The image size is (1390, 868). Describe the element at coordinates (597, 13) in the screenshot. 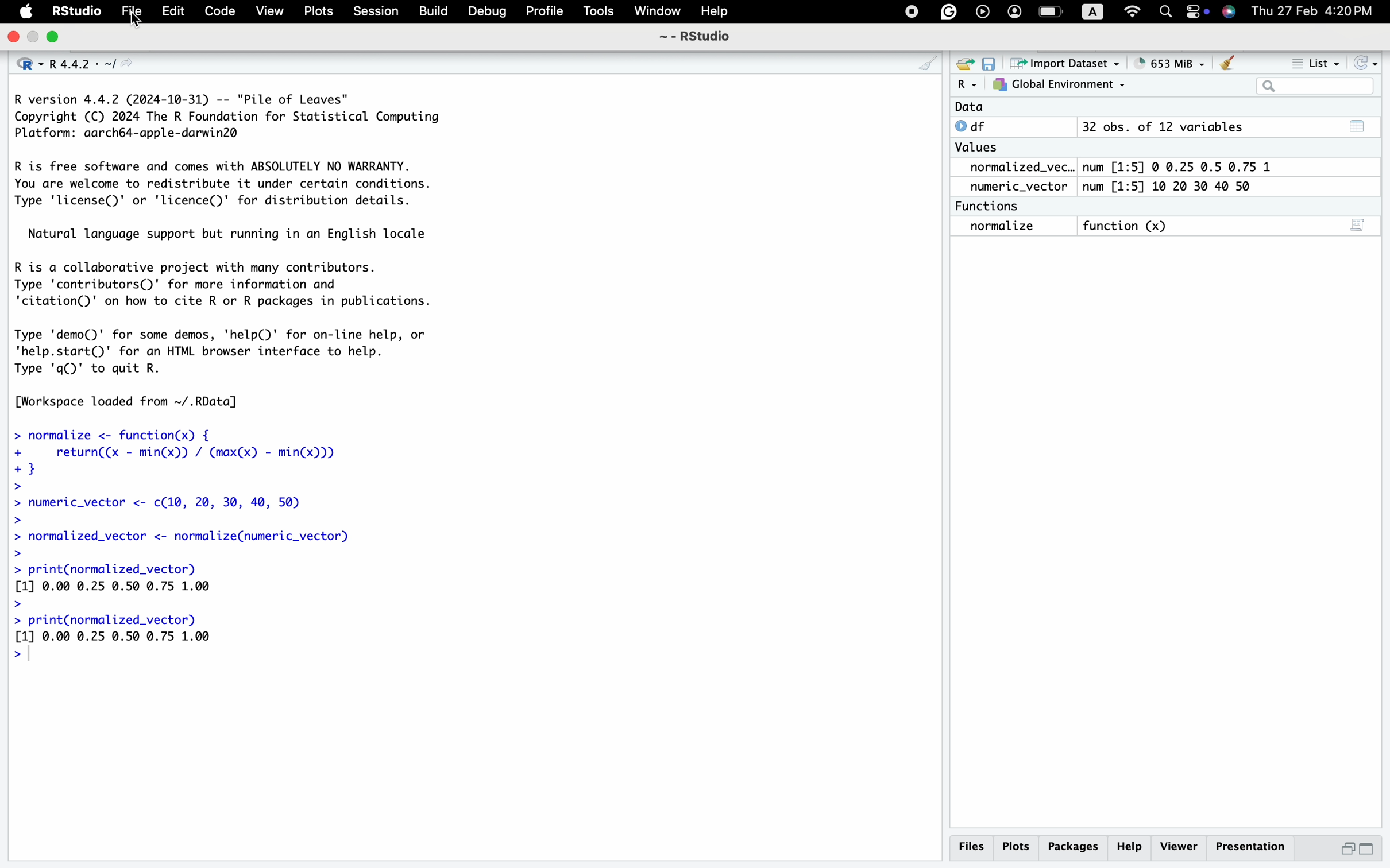

I see `Tools` at that location.